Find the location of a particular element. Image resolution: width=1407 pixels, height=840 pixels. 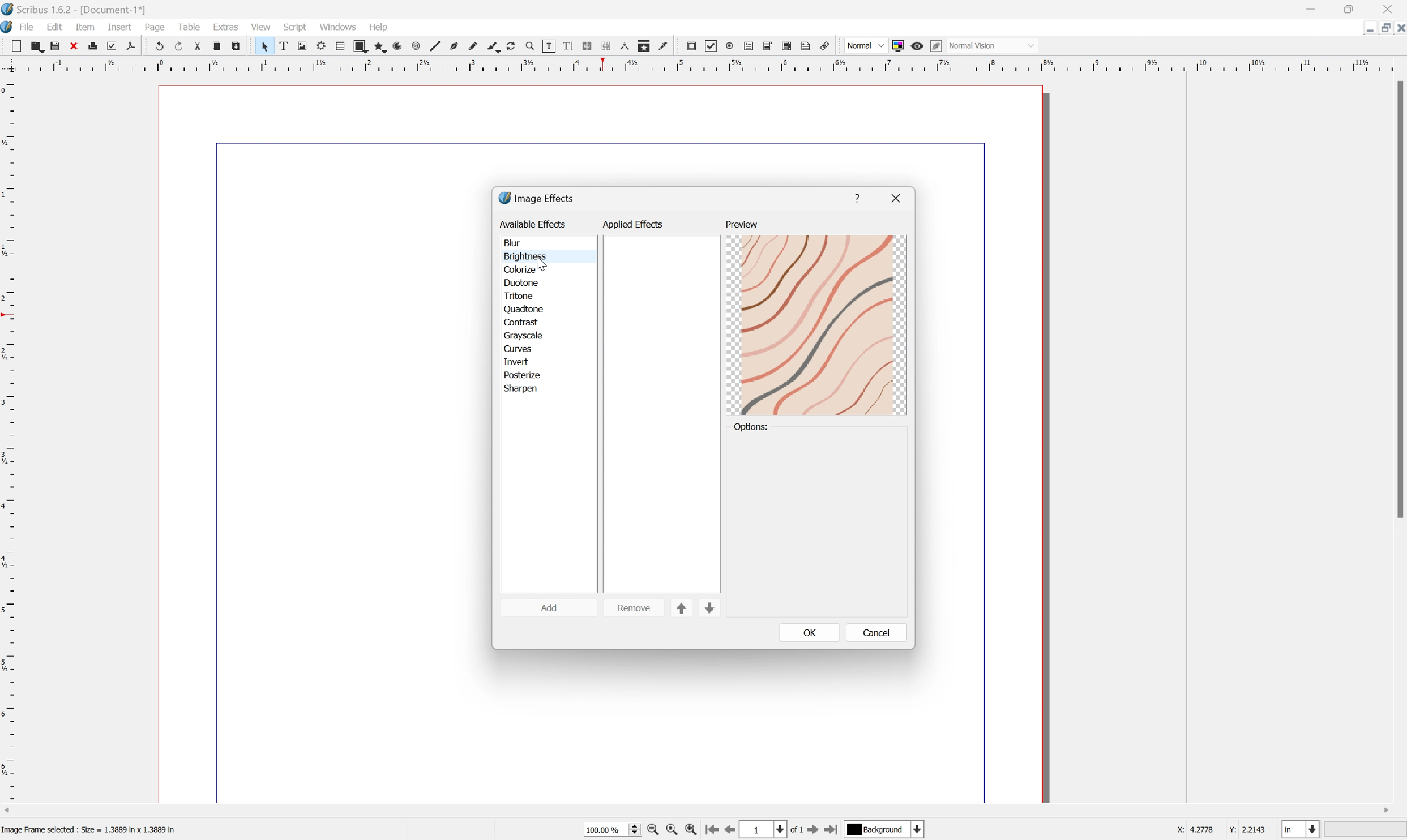

Item is located at coordinates (85, 26).